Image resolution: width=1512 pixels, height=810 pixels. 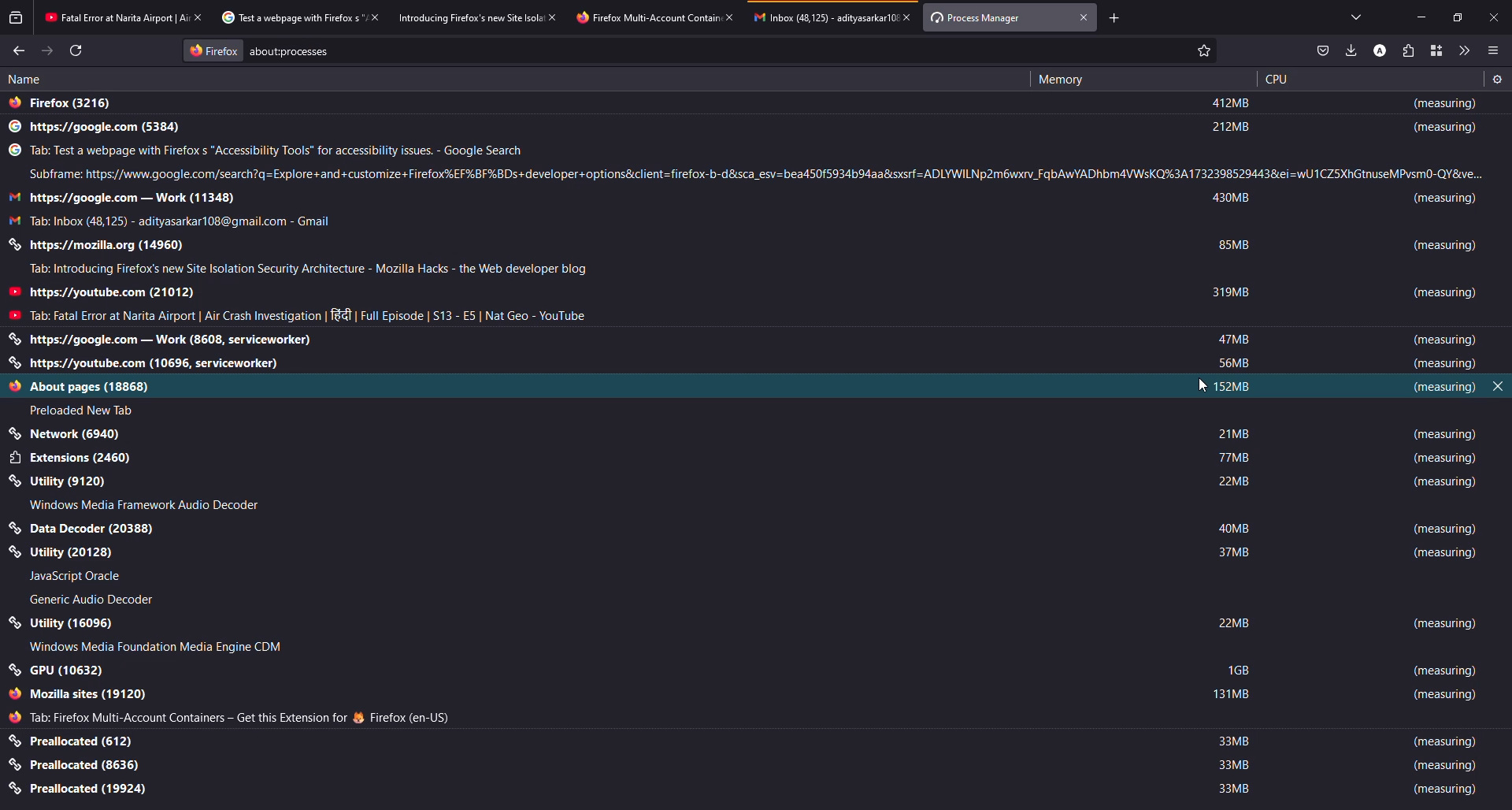 What do you see at coordinates (1232, 622) in the screenshot?
I see `22 mb` at bounding box center [1232, 622].